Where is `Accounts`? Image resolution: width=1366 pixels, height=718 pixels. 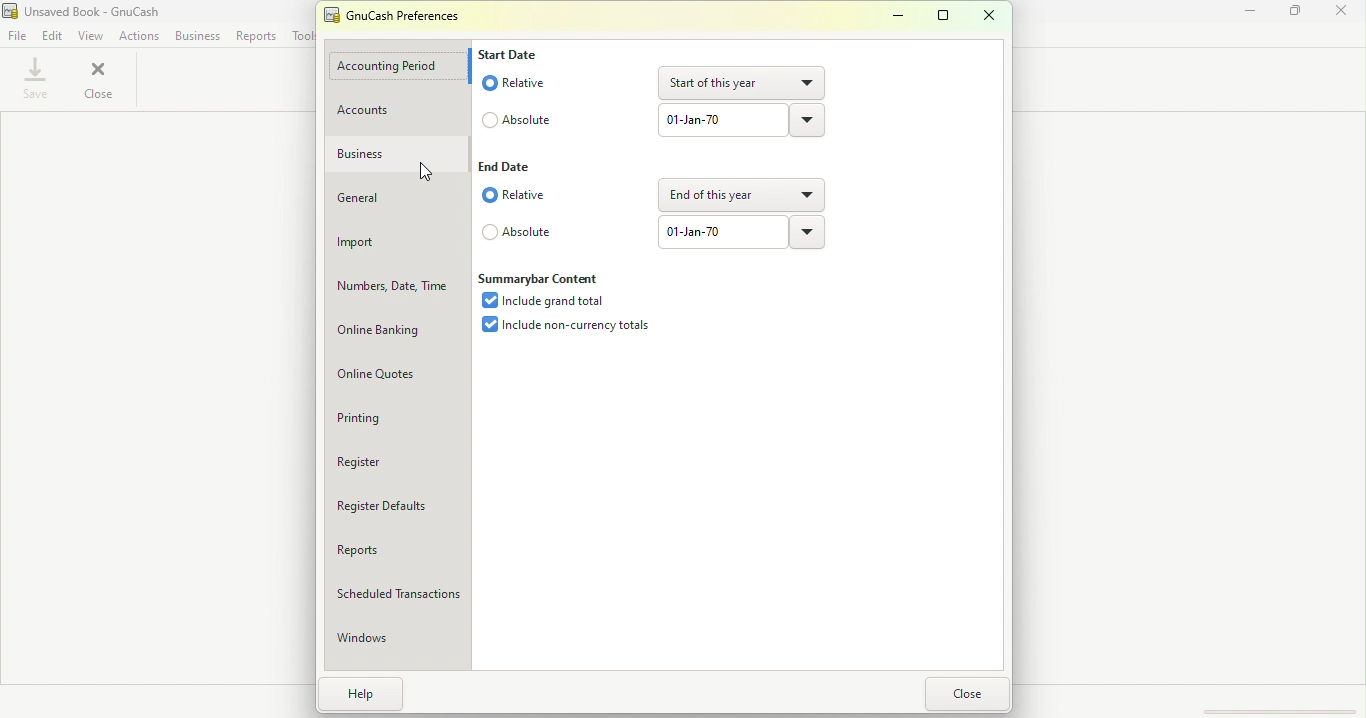 Accounts is located at coordinates (398, 112).